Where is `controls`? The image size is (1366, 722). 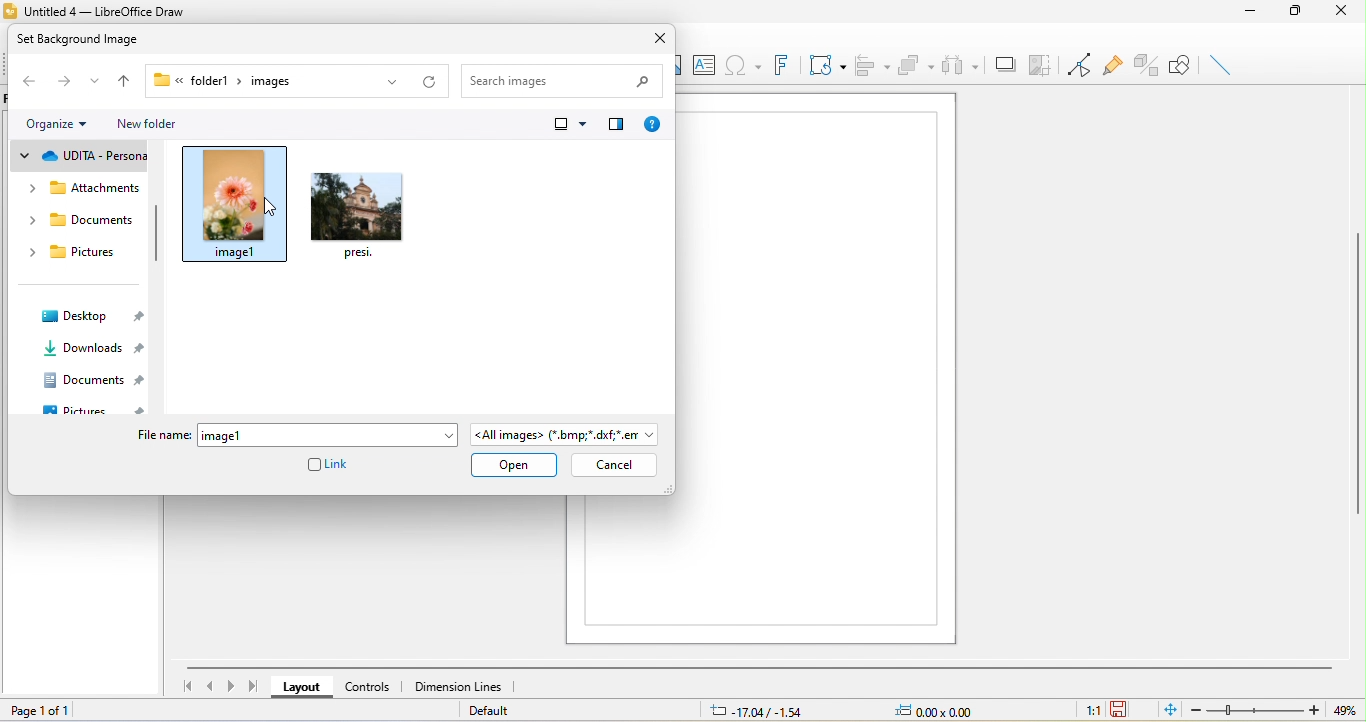 controls is located at coordinates (368, 687).